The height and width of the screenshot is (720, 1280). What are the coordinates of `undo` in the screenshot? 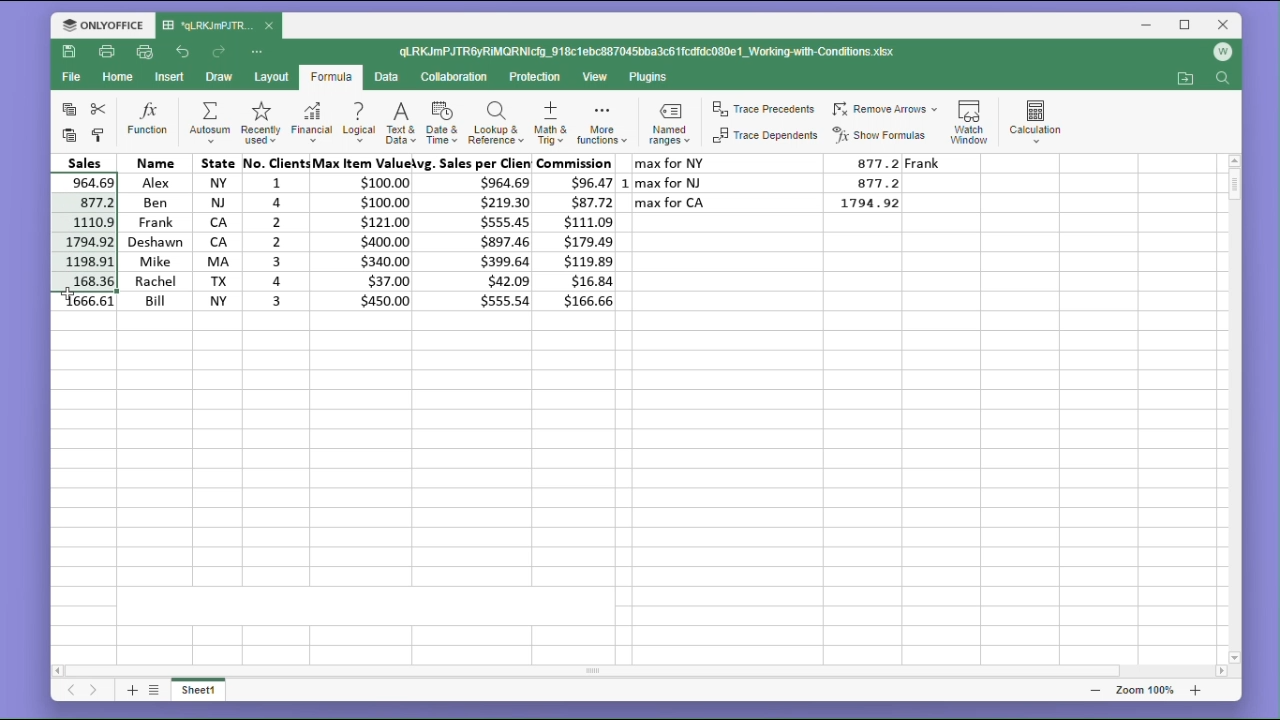 It's located at (183, 50).